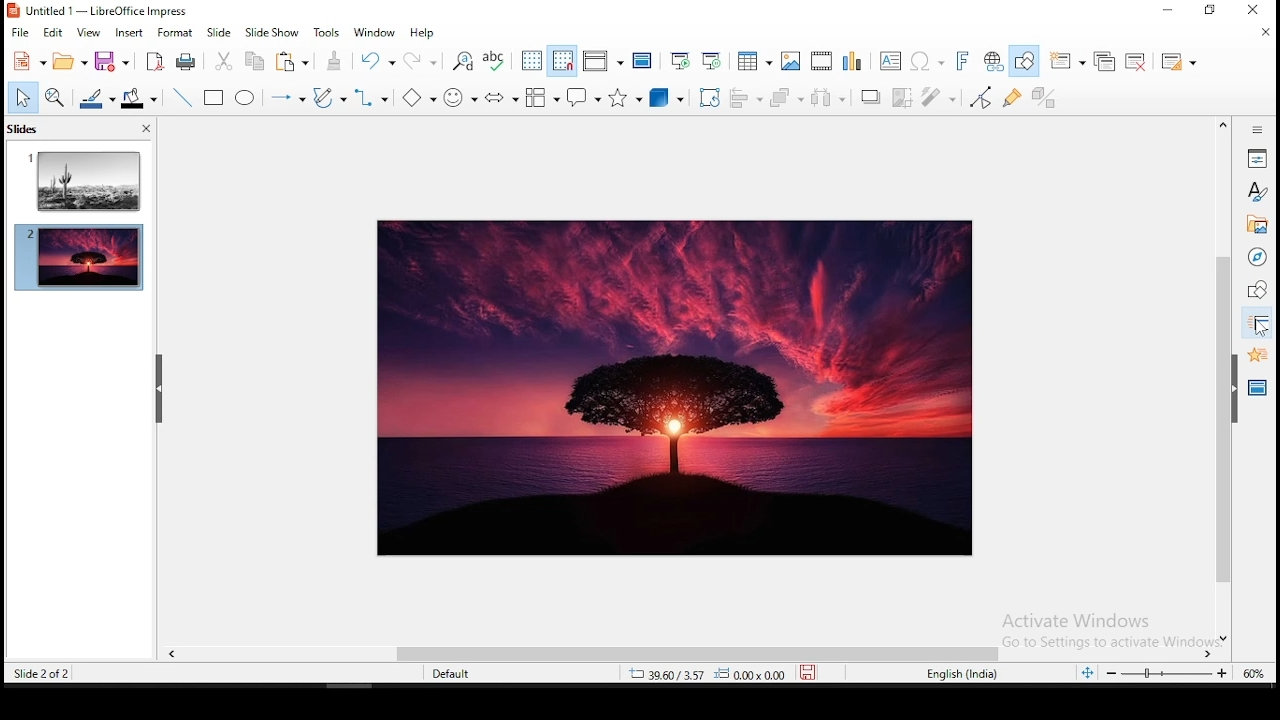  What do you see at coordinates (543, 97) in the screenshot?
I see `flowchart` at bounding box center [543, 97].